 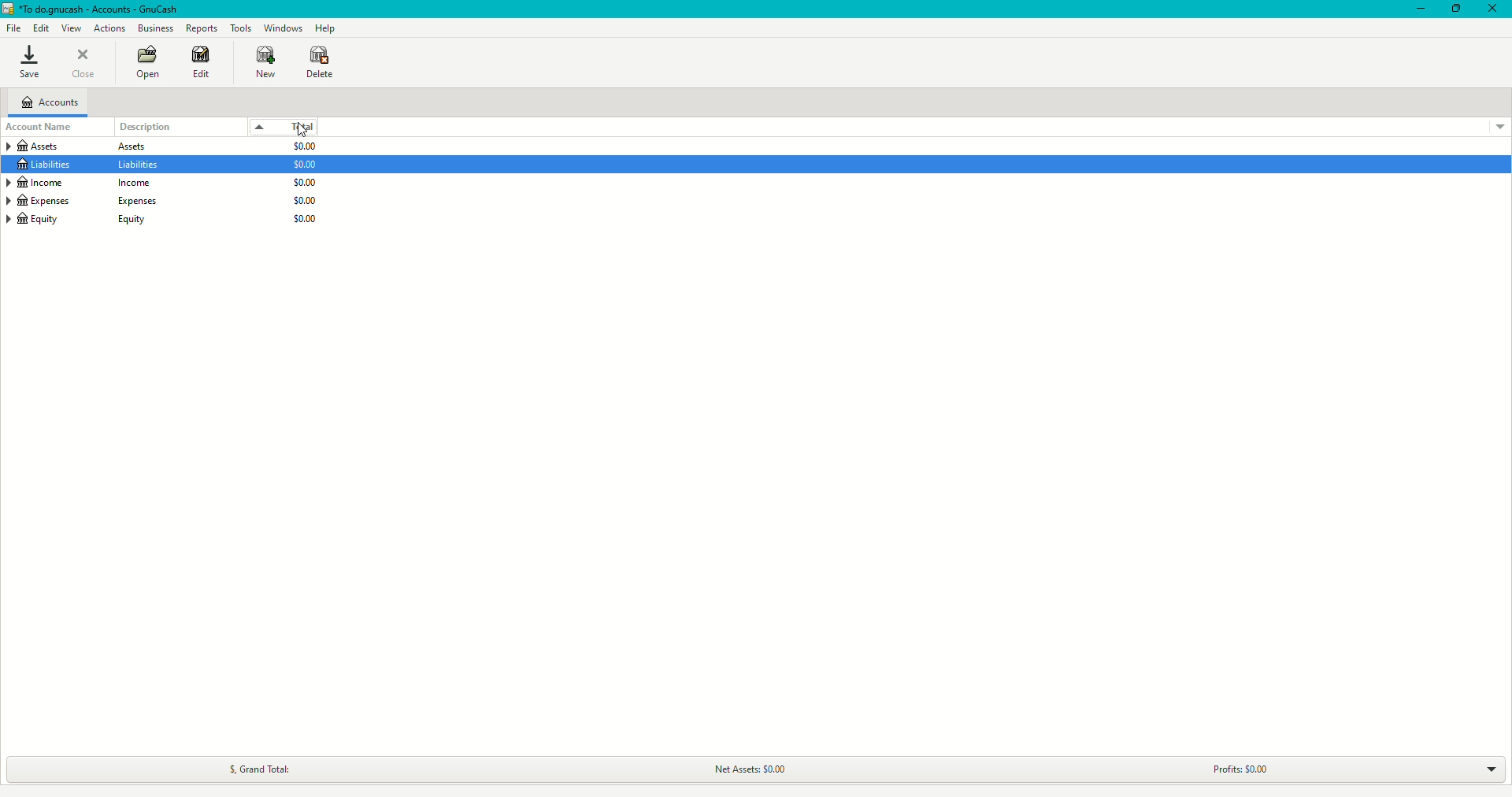 What do you see at coordinates (75, 164) in the screenshot?
I see `liabilities` at bounding box center [75, 164].